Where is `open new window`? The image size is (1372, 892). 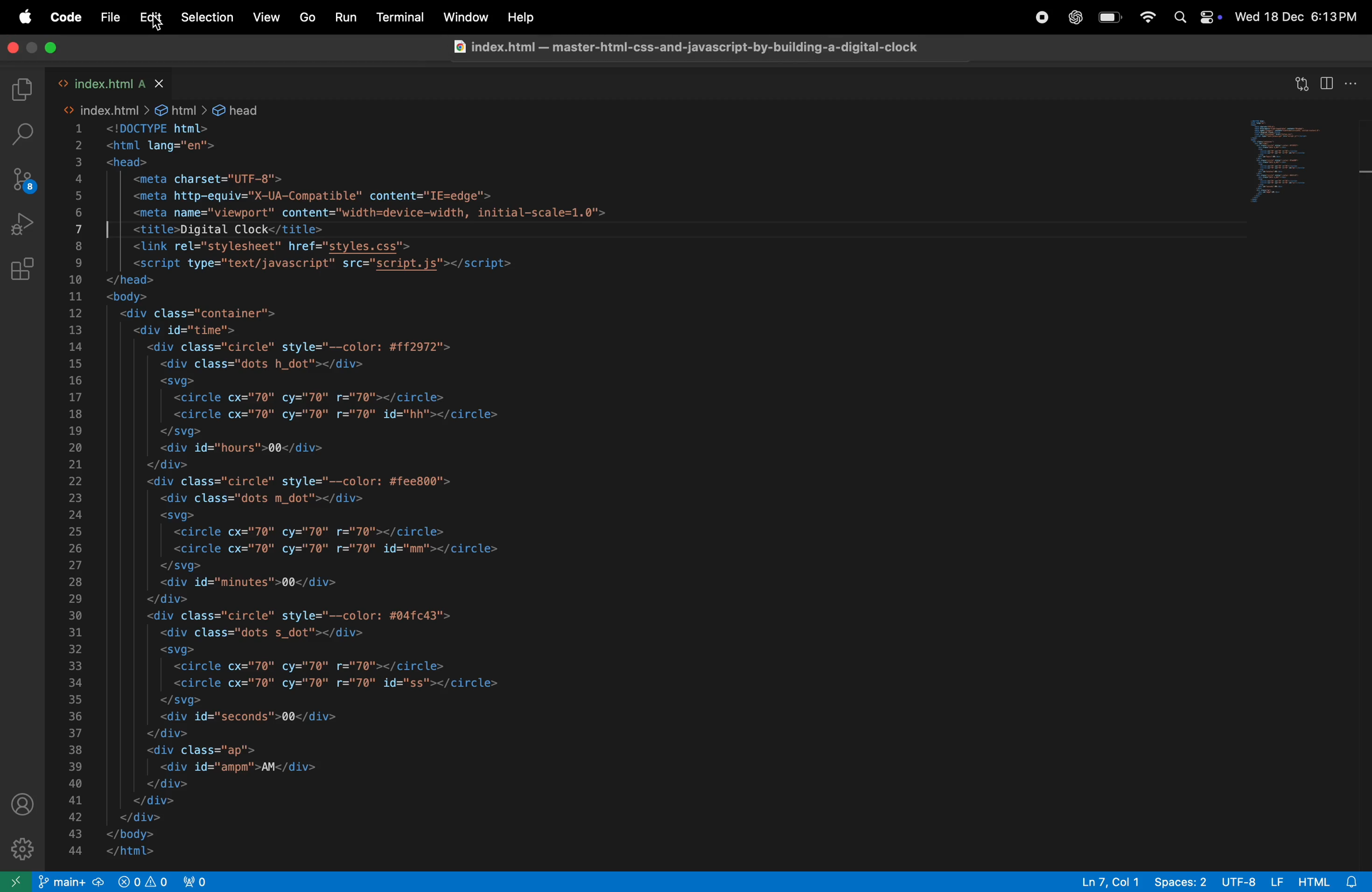
open new window is located at coordinates (18, 880).